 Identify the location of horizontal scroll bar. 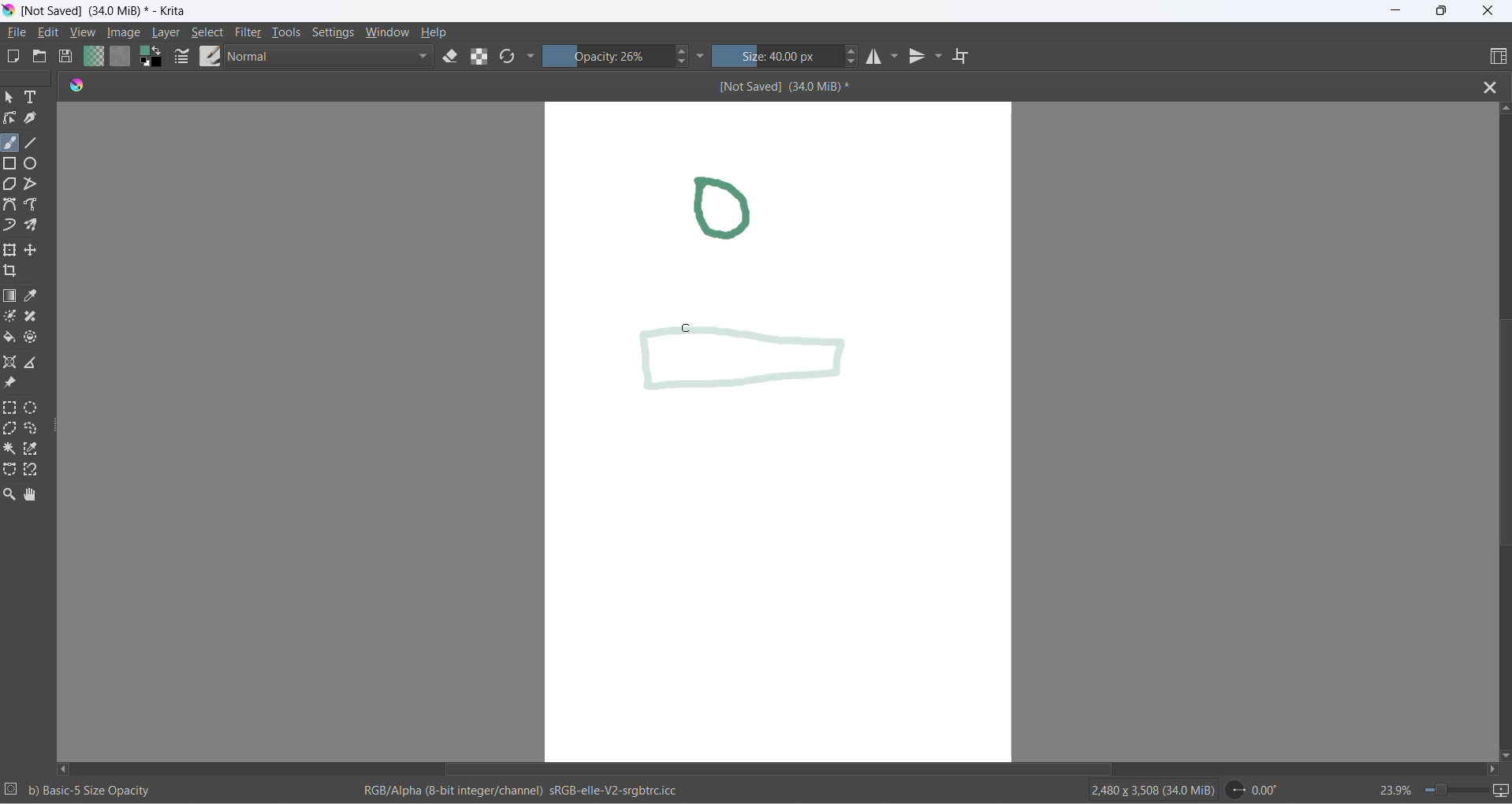
(784, 769).